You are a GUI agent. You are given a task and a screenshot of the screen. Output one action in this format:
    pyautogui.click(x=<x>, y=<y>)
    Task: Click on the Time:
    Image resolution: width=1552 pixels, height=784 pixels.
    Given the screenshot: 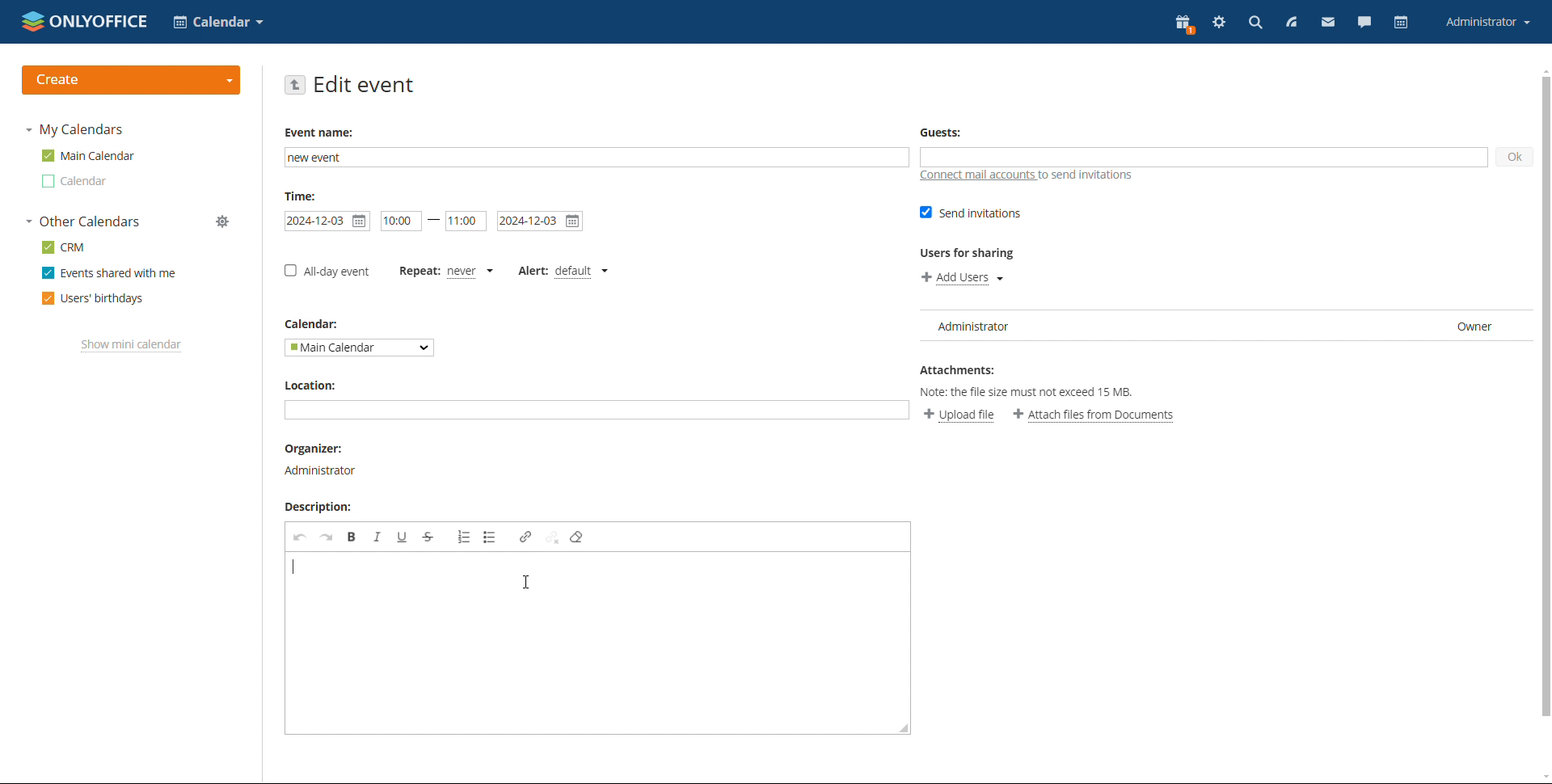 What is the action you would take?
    pyautogui.click(x=303, y=196)
    